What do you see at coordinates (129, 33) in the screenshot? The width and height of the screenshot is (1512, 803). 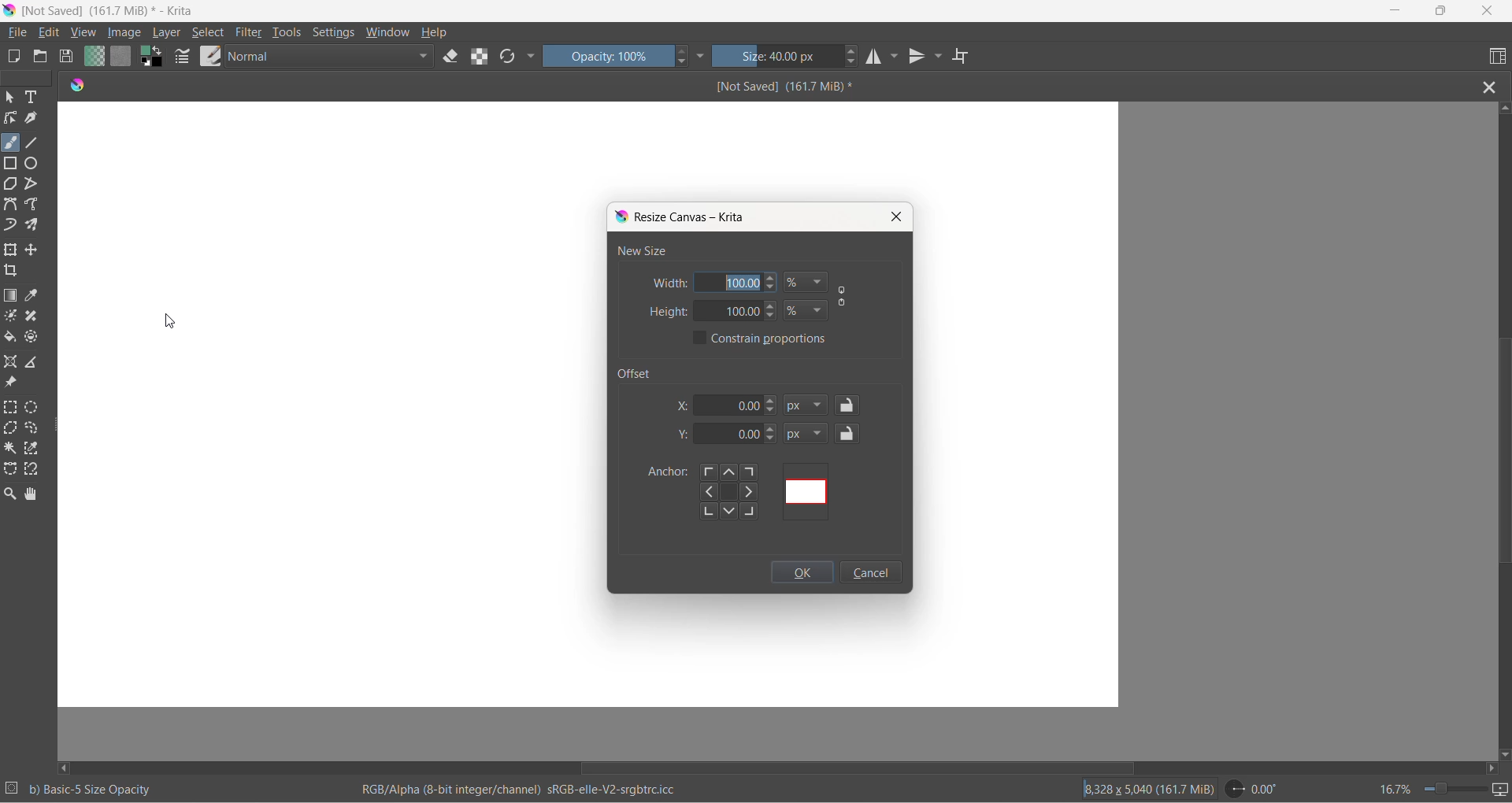 I see `Cursor on image` at bounding box center [129, 33].